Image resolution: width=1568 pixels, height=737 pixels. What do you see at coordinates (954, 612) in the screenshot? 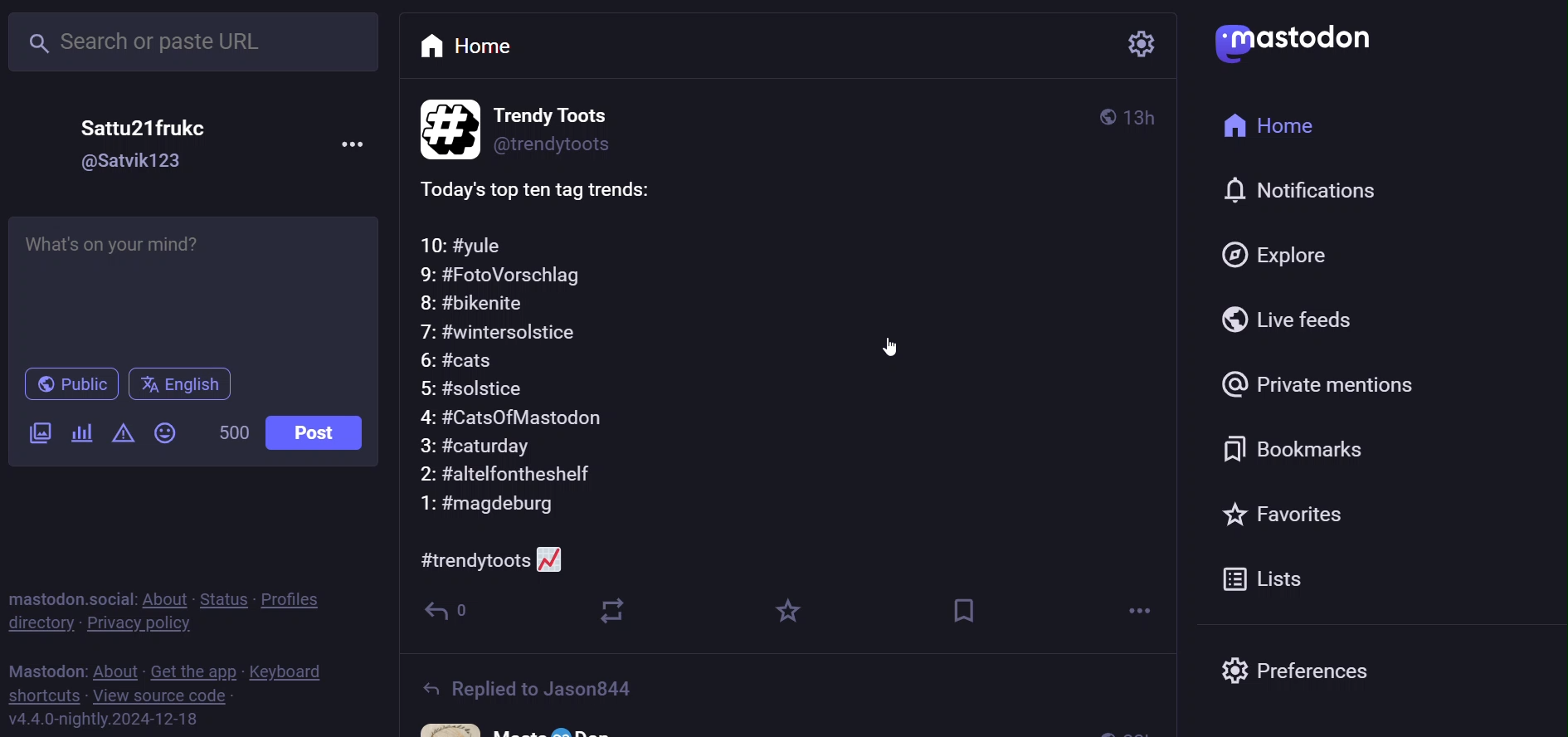
I see `bookmark` at bounding box center [954, 612].